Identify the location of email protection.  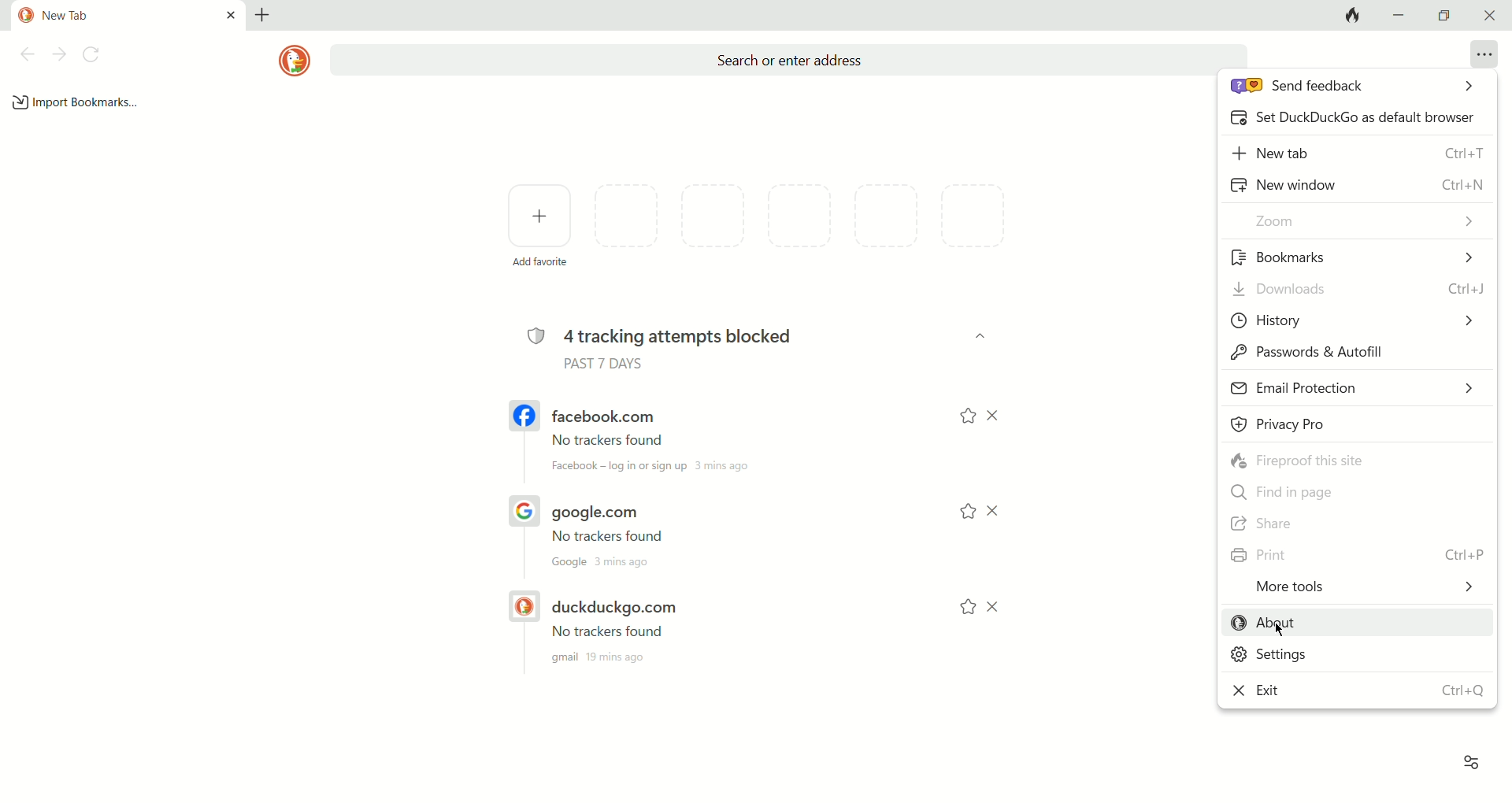
(1353, 390).